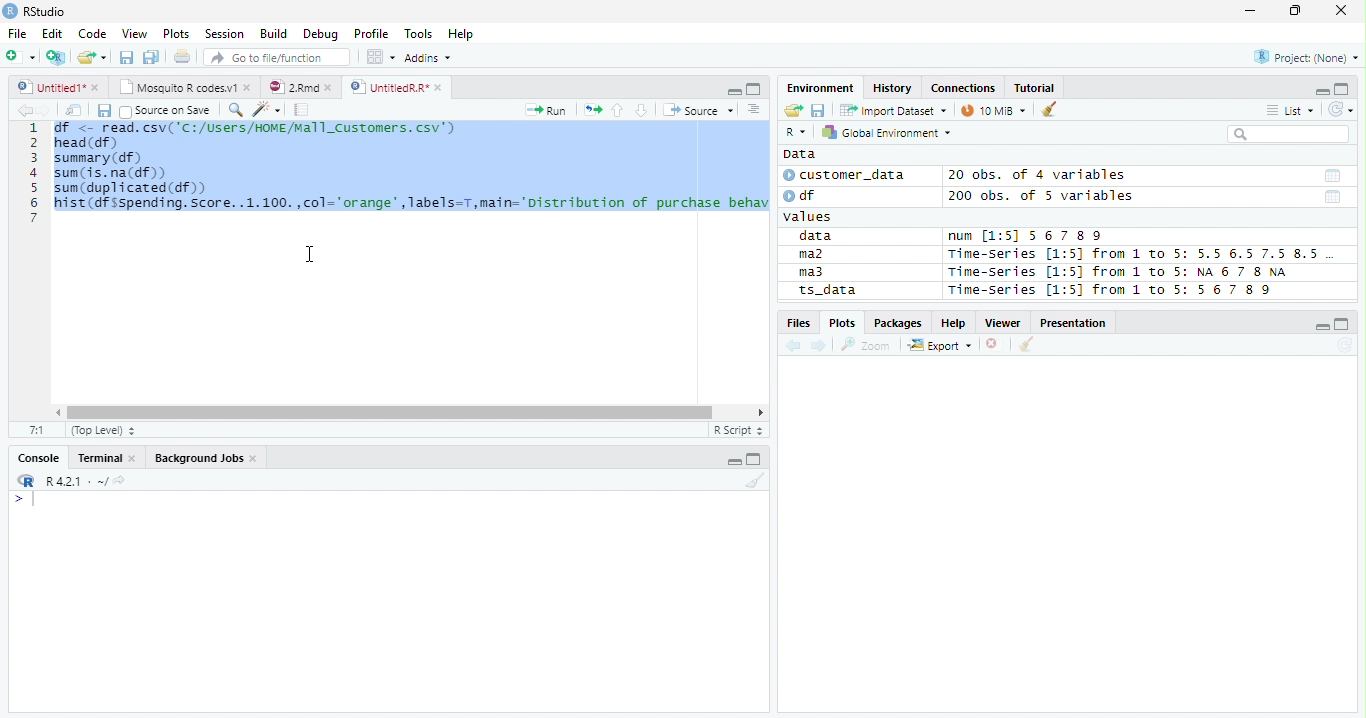 Image resolution: width=1366 pixels, height=718 pixels. What do you see at coordinates (21, 56) in the screenshot?
I see `New File` at bounding box center [21, 56].